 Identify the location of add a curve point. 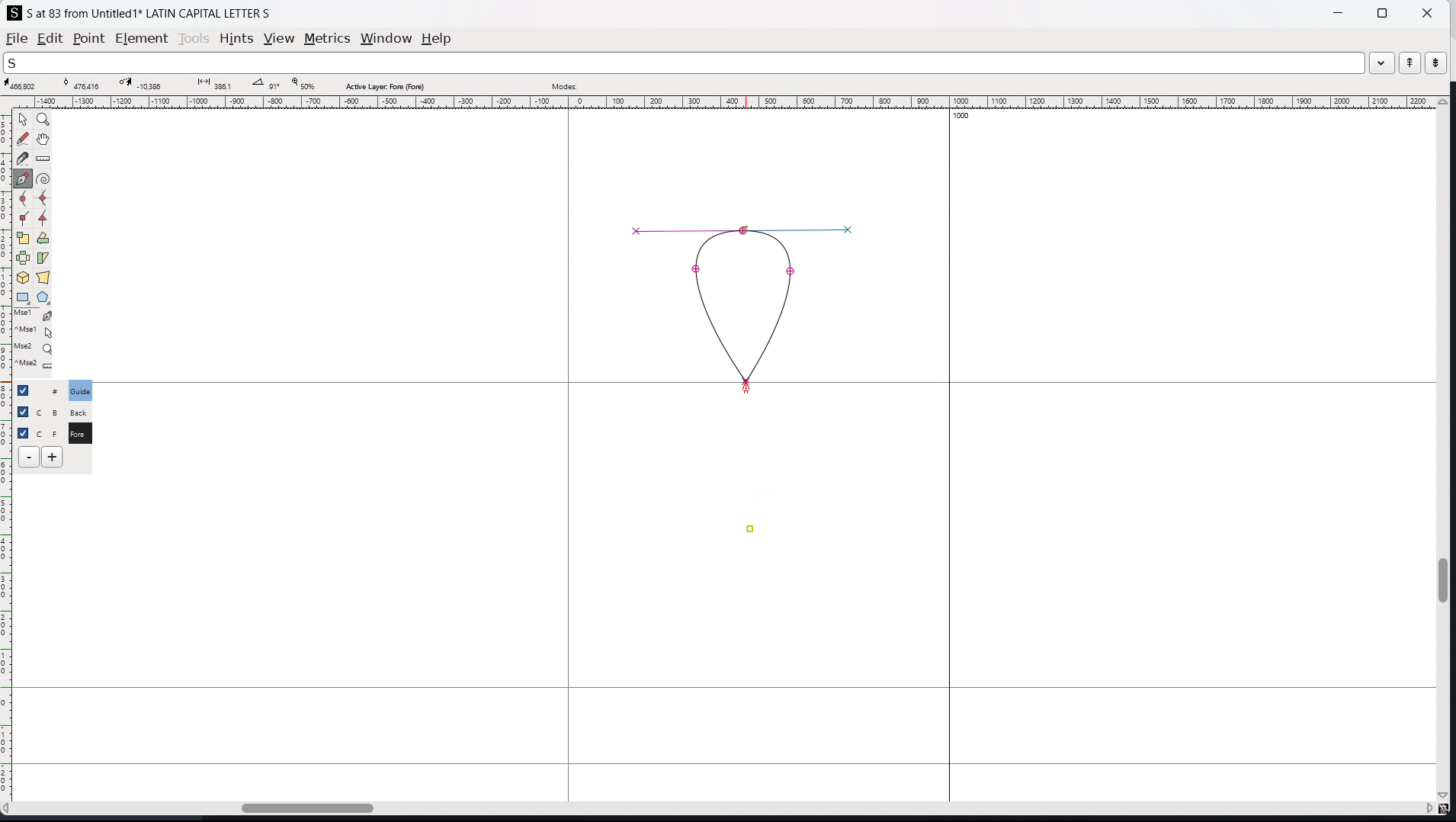
(24, 199).